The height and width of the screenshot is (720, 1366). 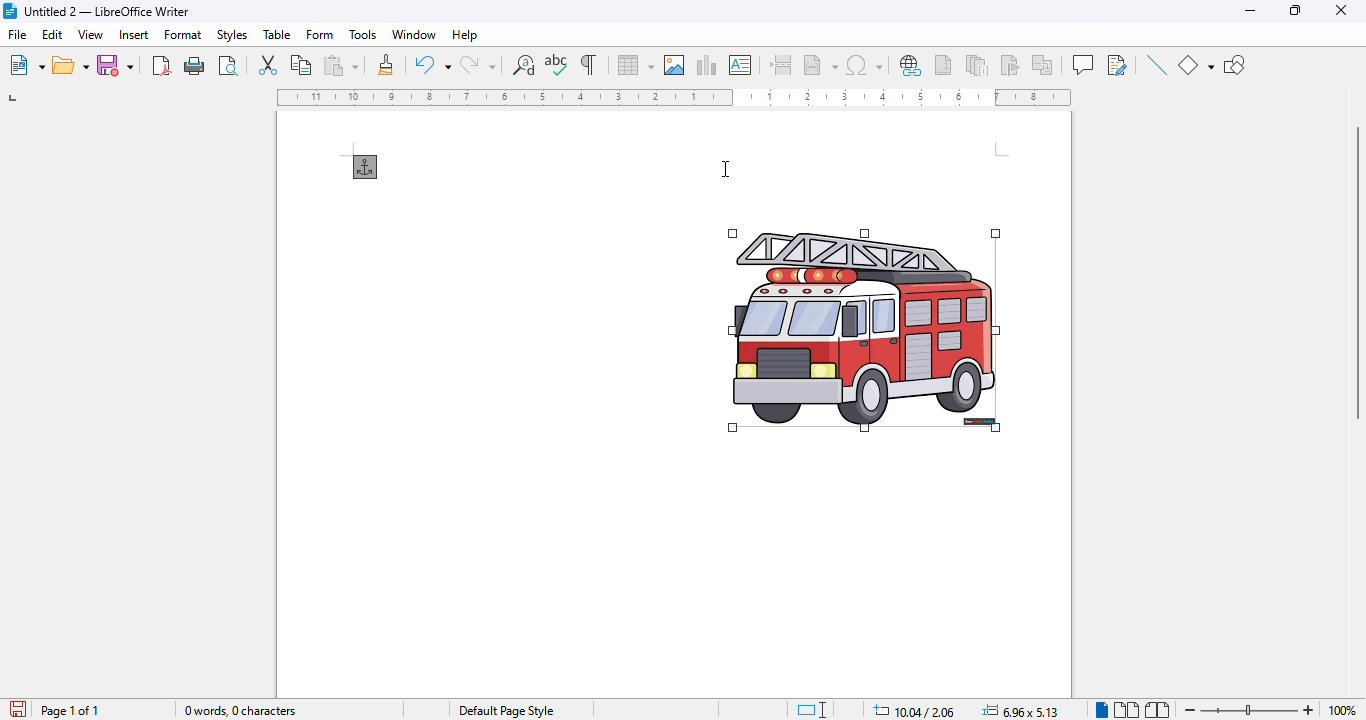 What do you see at coordinates (18, 33) in the screenshot?
I see `file` at bounding box center [18, 33].